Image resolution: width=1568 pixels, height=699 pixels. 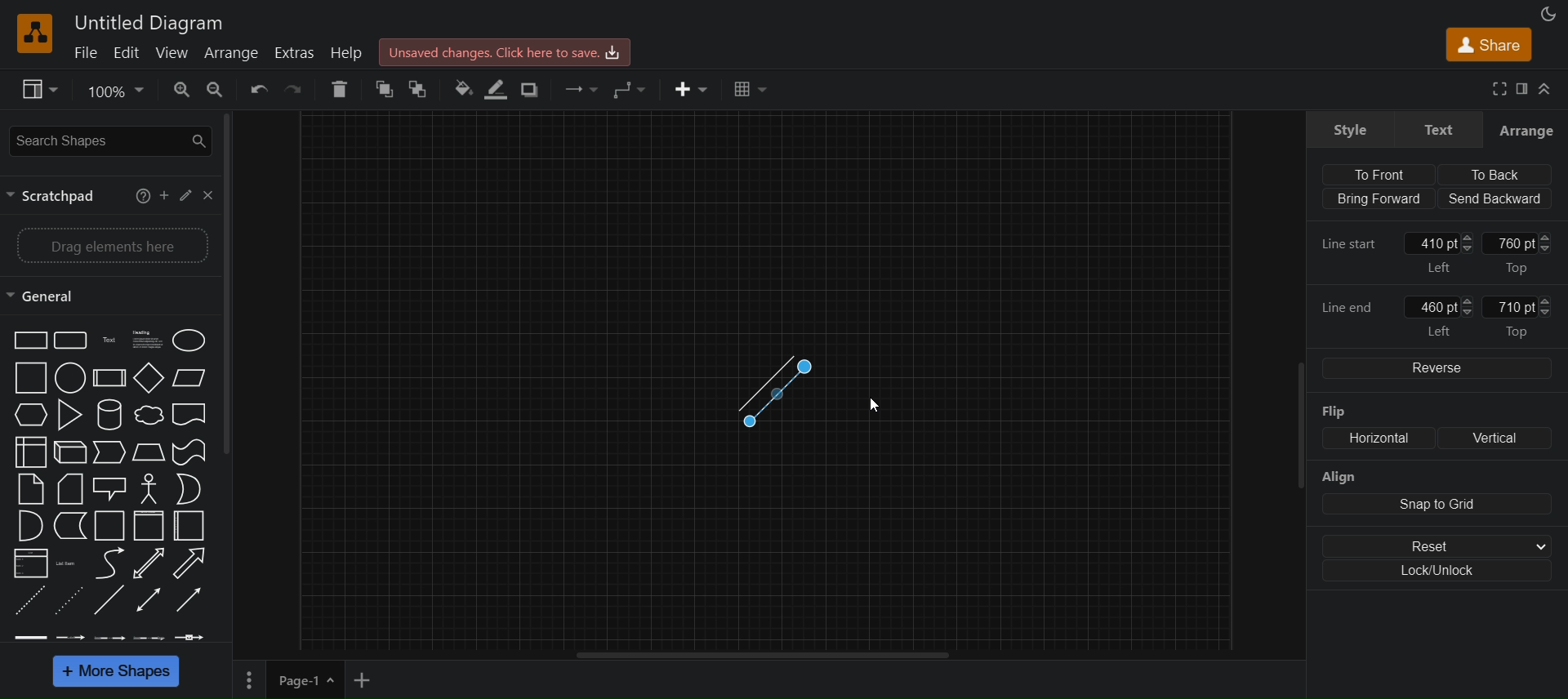 What do you see at coordinates (109, 602) in the screenshot?
I see `line` at bounding box center [109, 602].